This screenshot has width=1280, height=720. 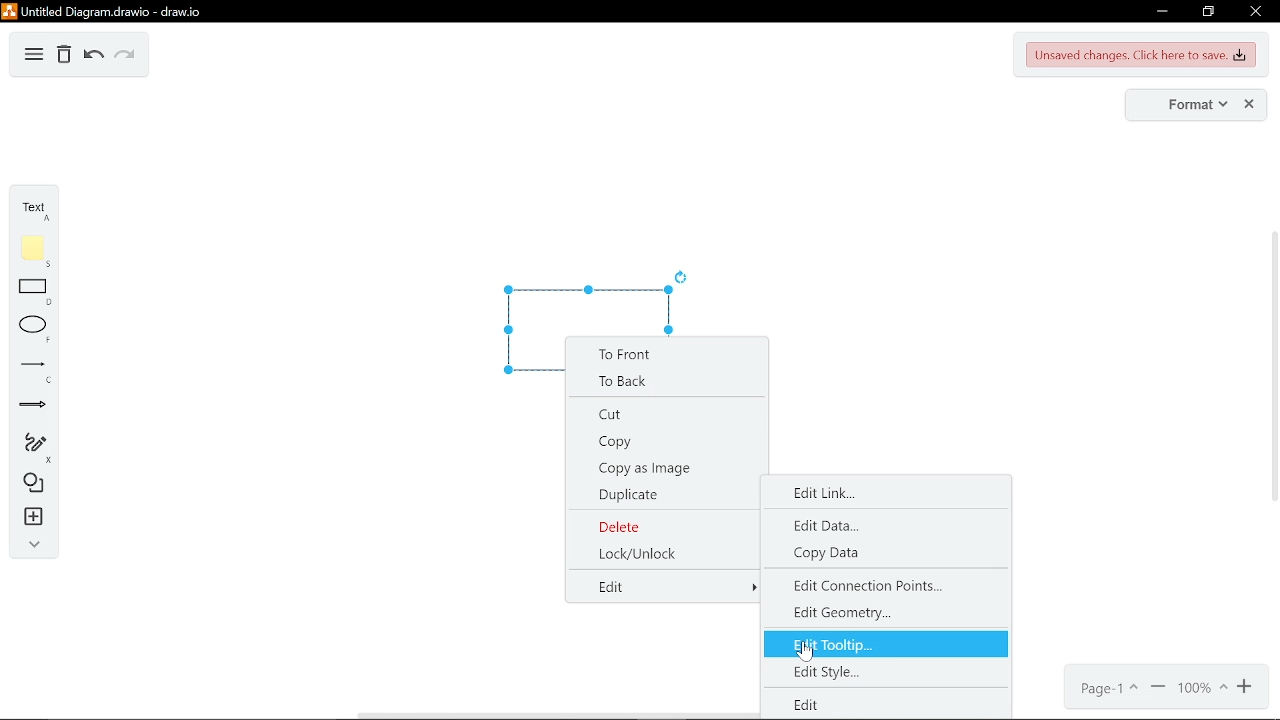 What do you see at coordinates (665, 382) in the screenshot?
I see `to back` at bounding box center [665, 382].